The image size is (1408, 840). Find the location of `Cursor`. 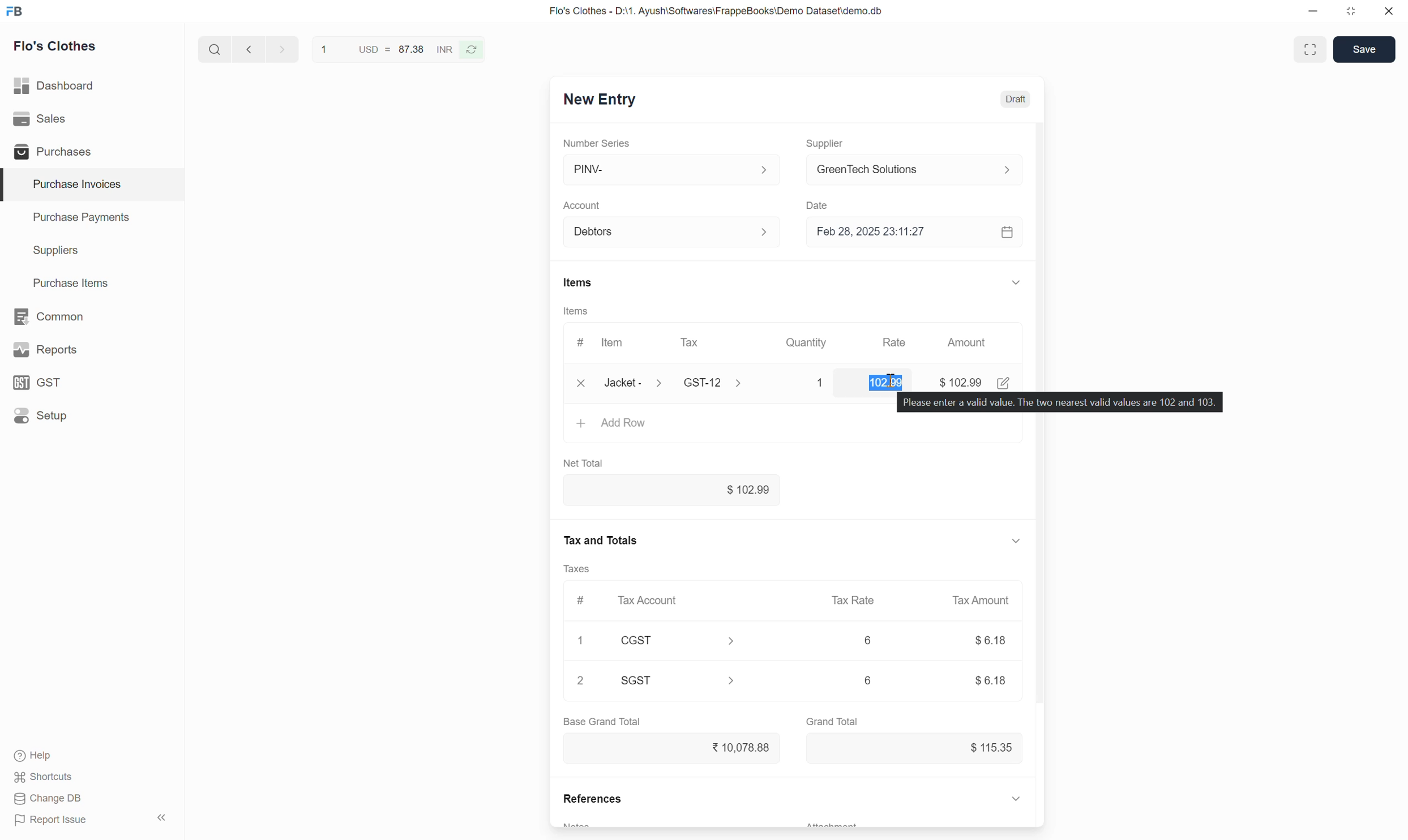

Cursor is located at coordinates (891, 380).